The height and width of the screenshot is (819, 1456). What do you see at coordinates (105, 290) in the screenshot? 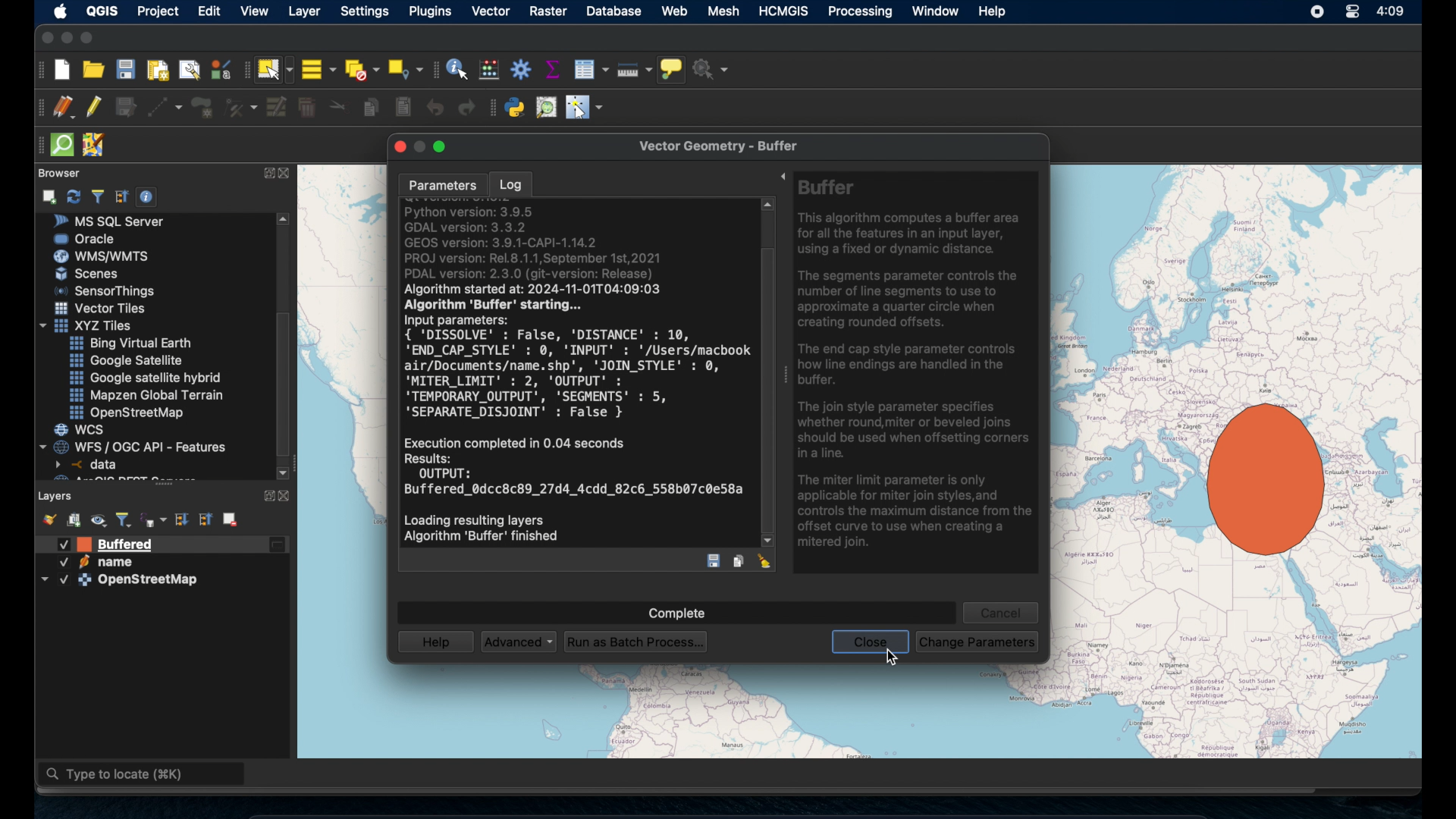
I see `sensor things` at bounding box center [105, 290].